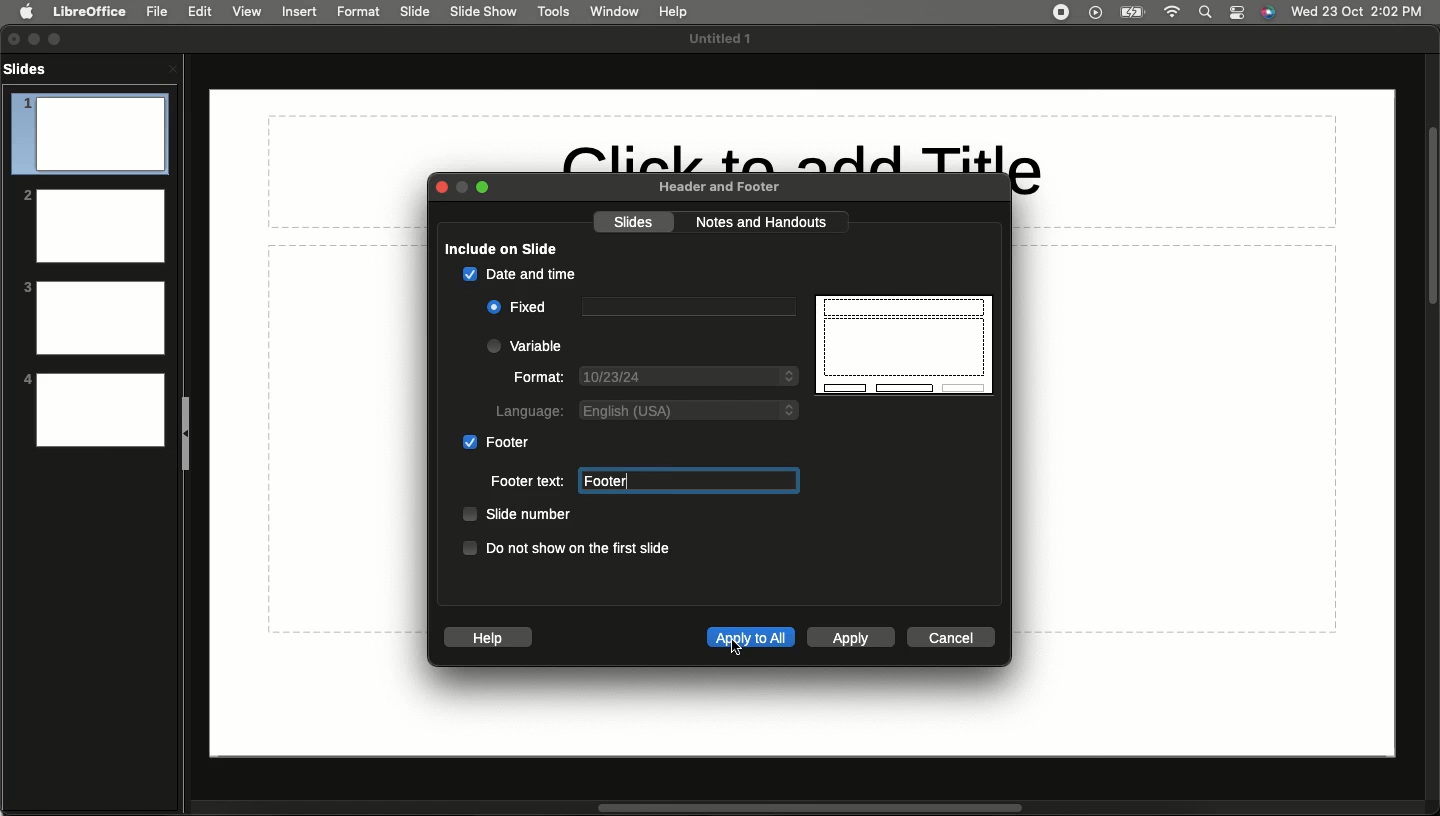  Describe the element at coordinates (519, 308) in the screenshot. I see `Fixed` at that location.